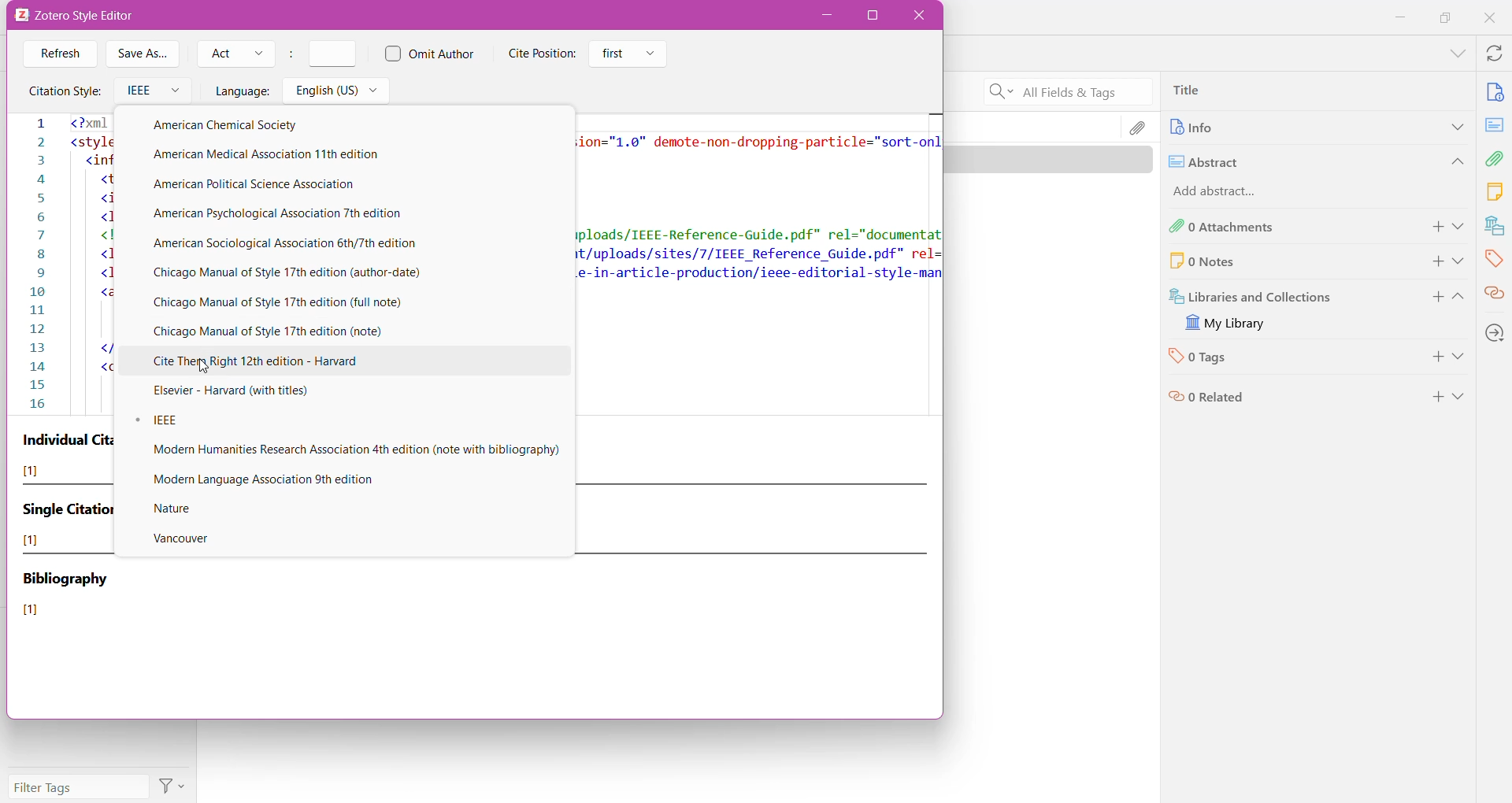 This screenshot has height=803, width=1512. I want to click on IEEE, so click(232, 423).